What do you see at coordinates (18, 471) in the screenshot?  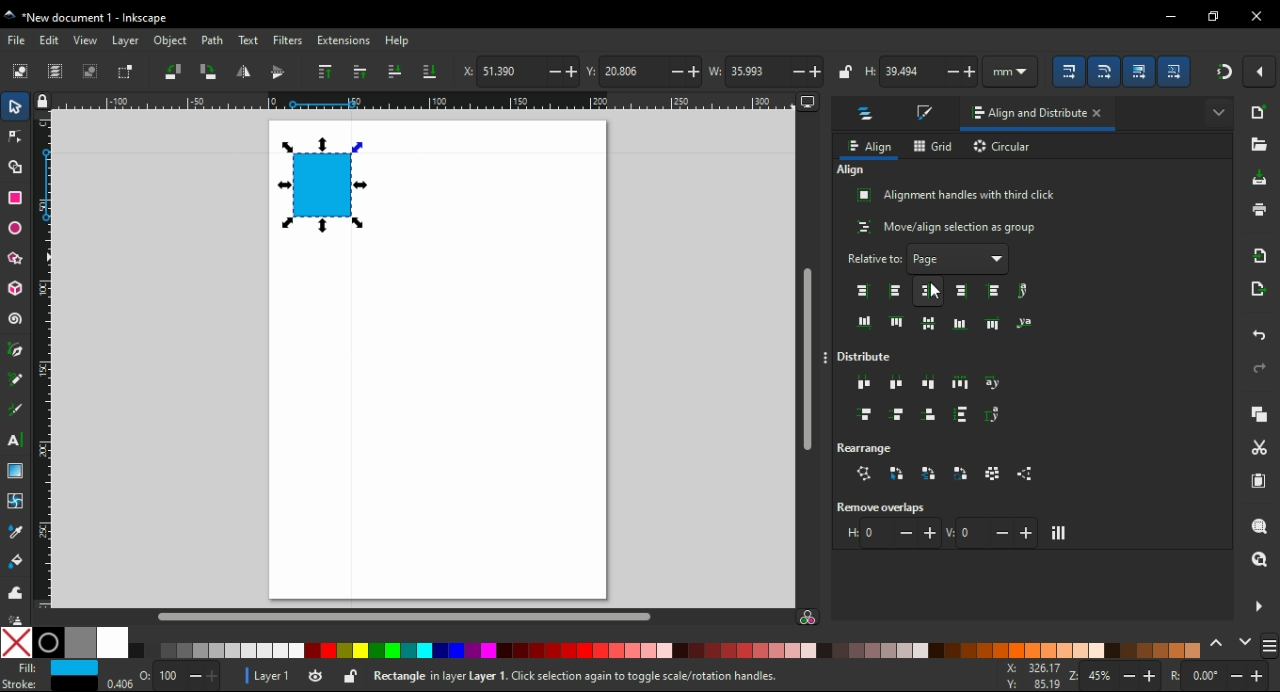 I see `gradient tool` at bounding box center [18, 471].